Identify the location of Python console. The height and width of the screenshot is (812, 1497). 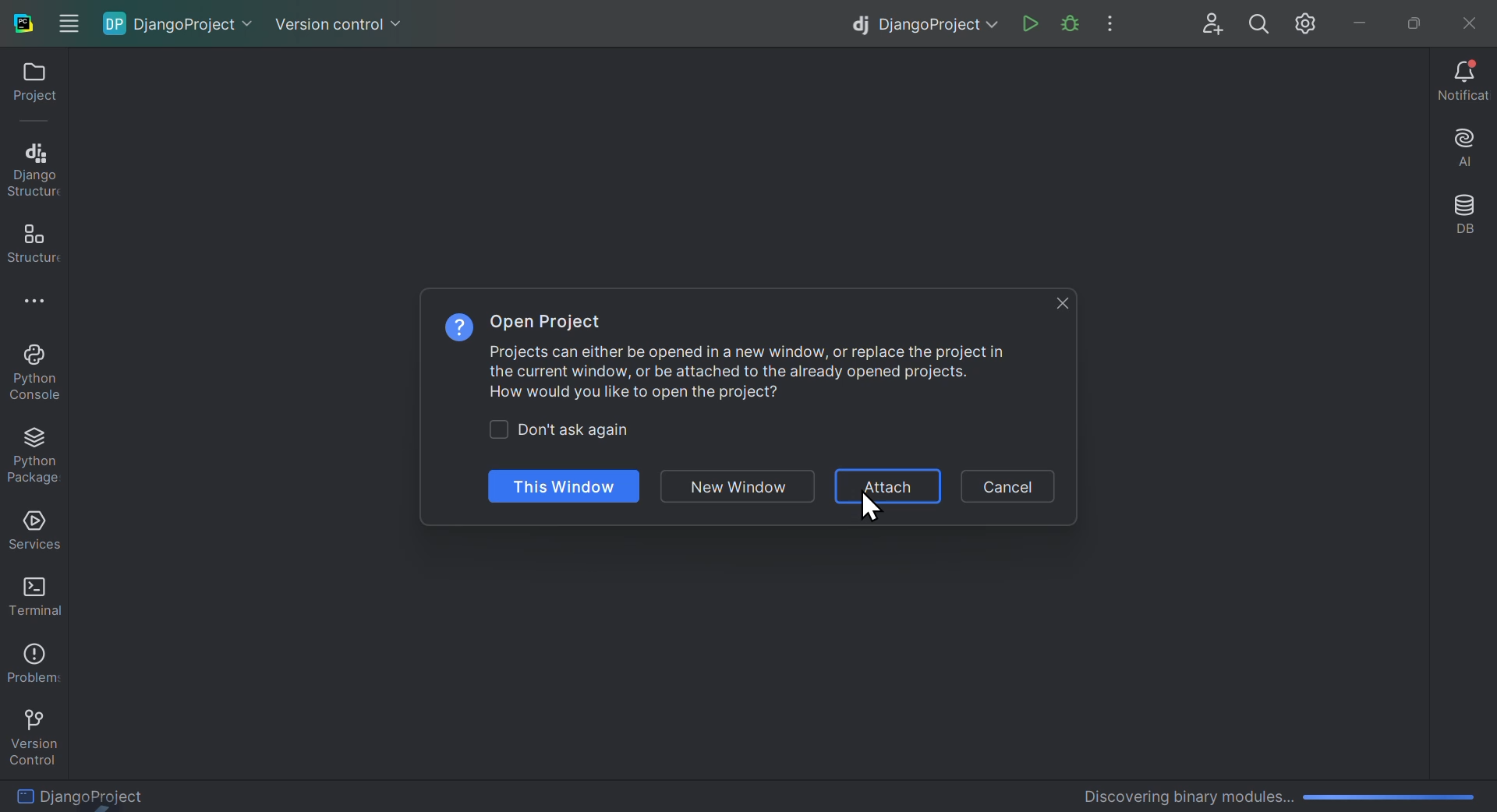
(39, 374).